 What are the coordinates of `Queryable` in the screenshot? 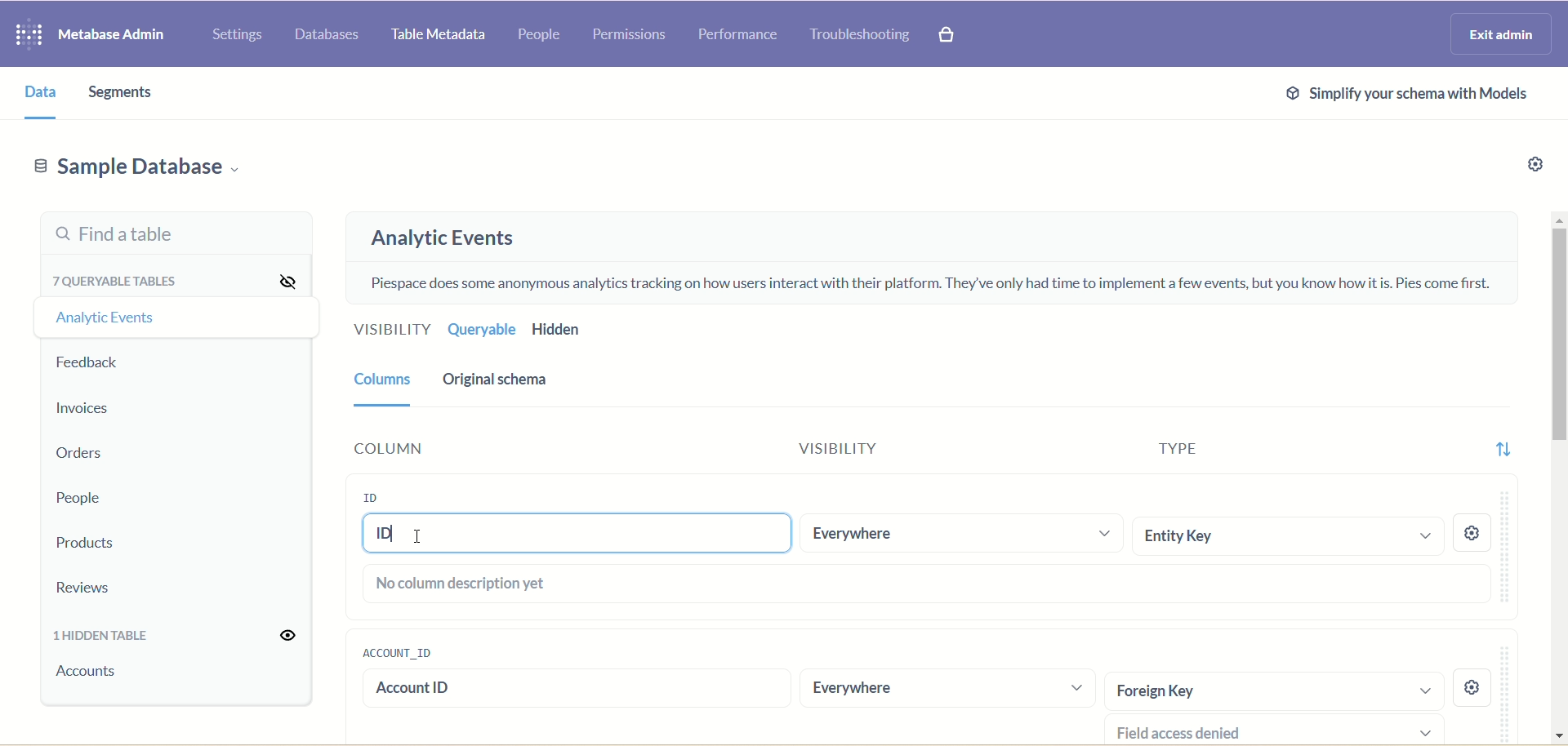 It's located at (483, 331).